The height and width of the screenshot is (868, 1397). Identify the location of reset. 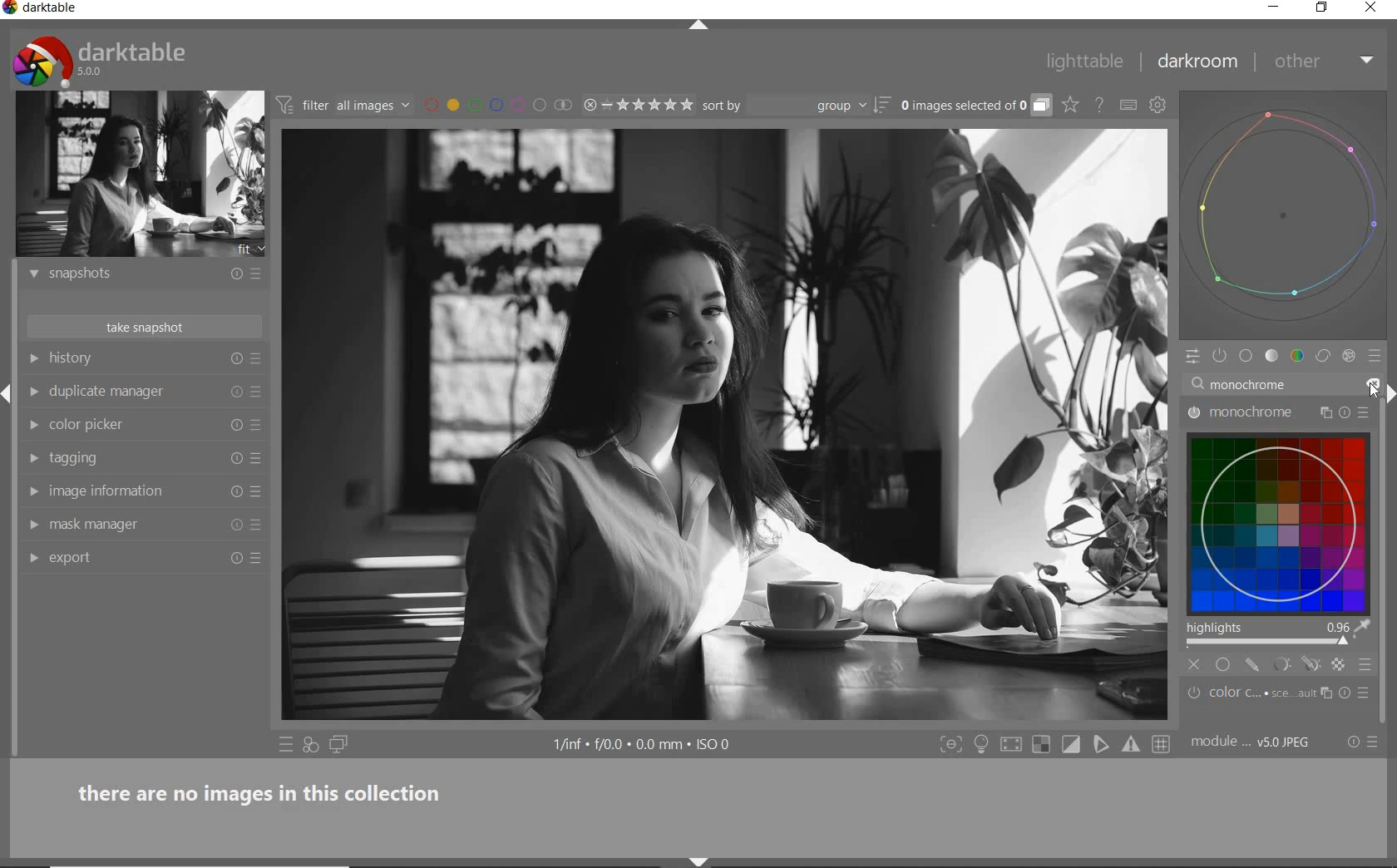
(235, 392).